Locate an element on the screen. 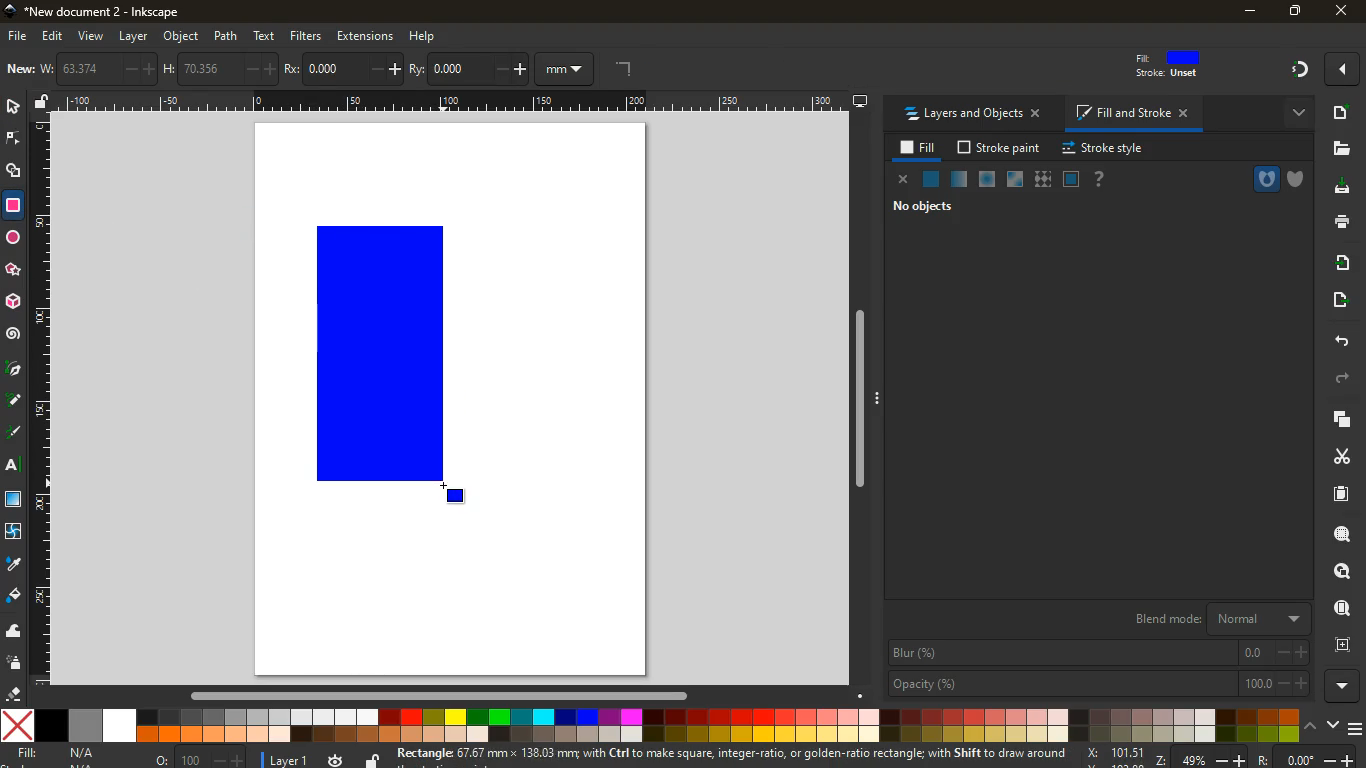 This screenshot has height=768, width=1366. ry is located at coordinates (469, 69).